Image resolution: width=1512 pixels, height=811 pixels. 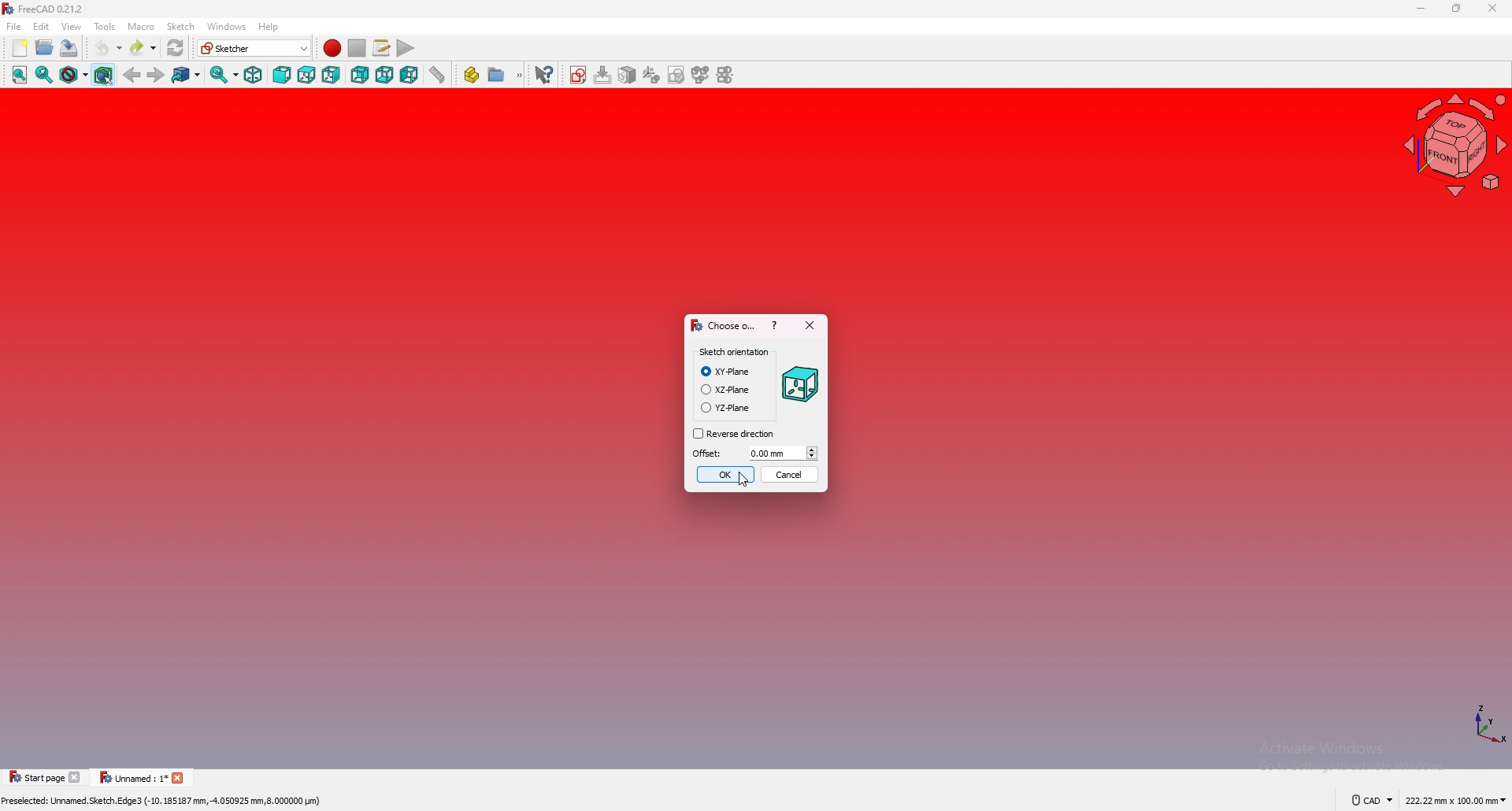 I want to click on goto linked object, so click(x=187, y=75).